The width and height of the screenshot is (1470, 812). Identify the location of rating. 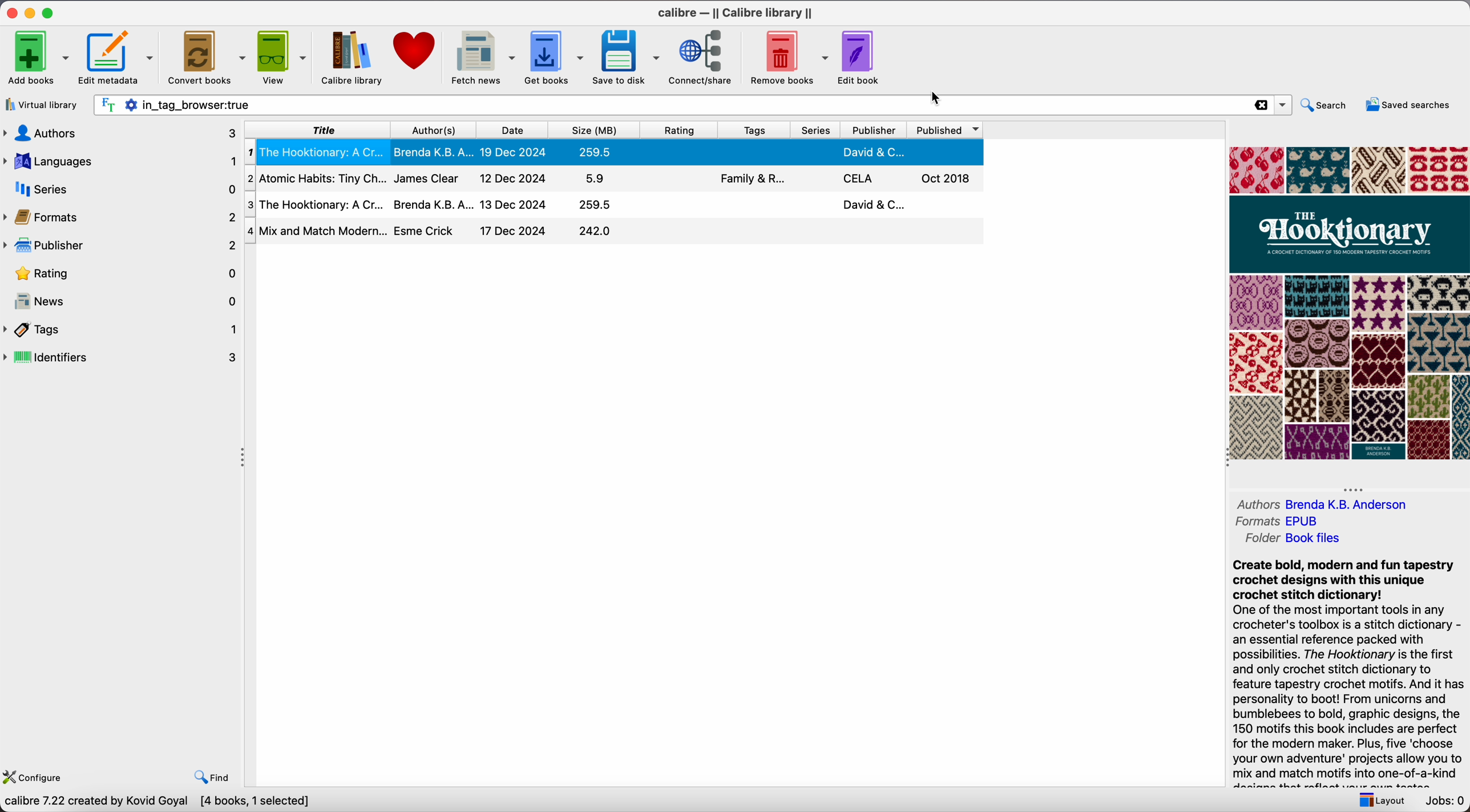
(681, 128).